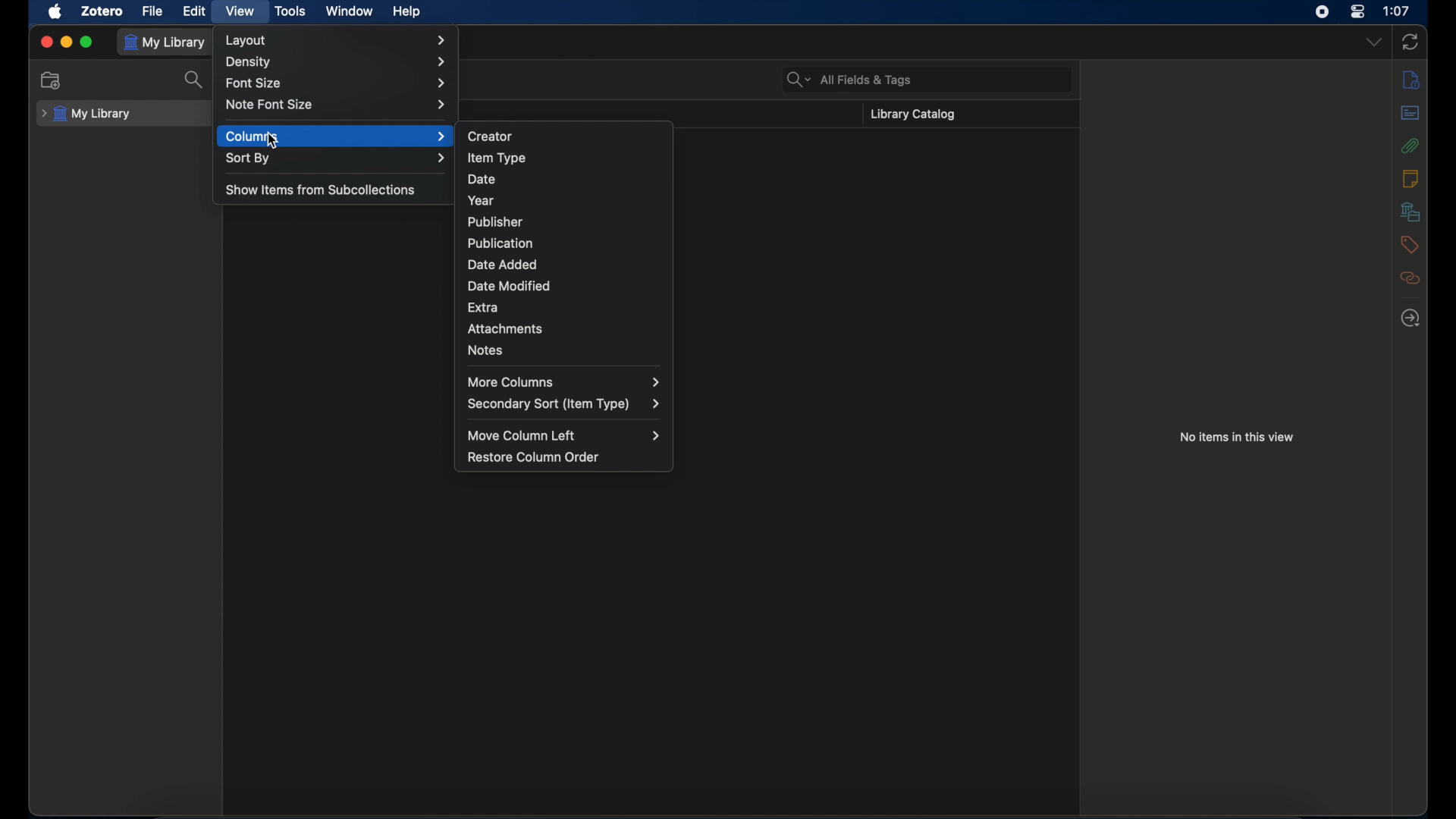 The width and height of the screenshot is (1456, 819). What do you see at coordinates (240, 12) in the screenshot?
I see `view` at bounding box center [240, 12].